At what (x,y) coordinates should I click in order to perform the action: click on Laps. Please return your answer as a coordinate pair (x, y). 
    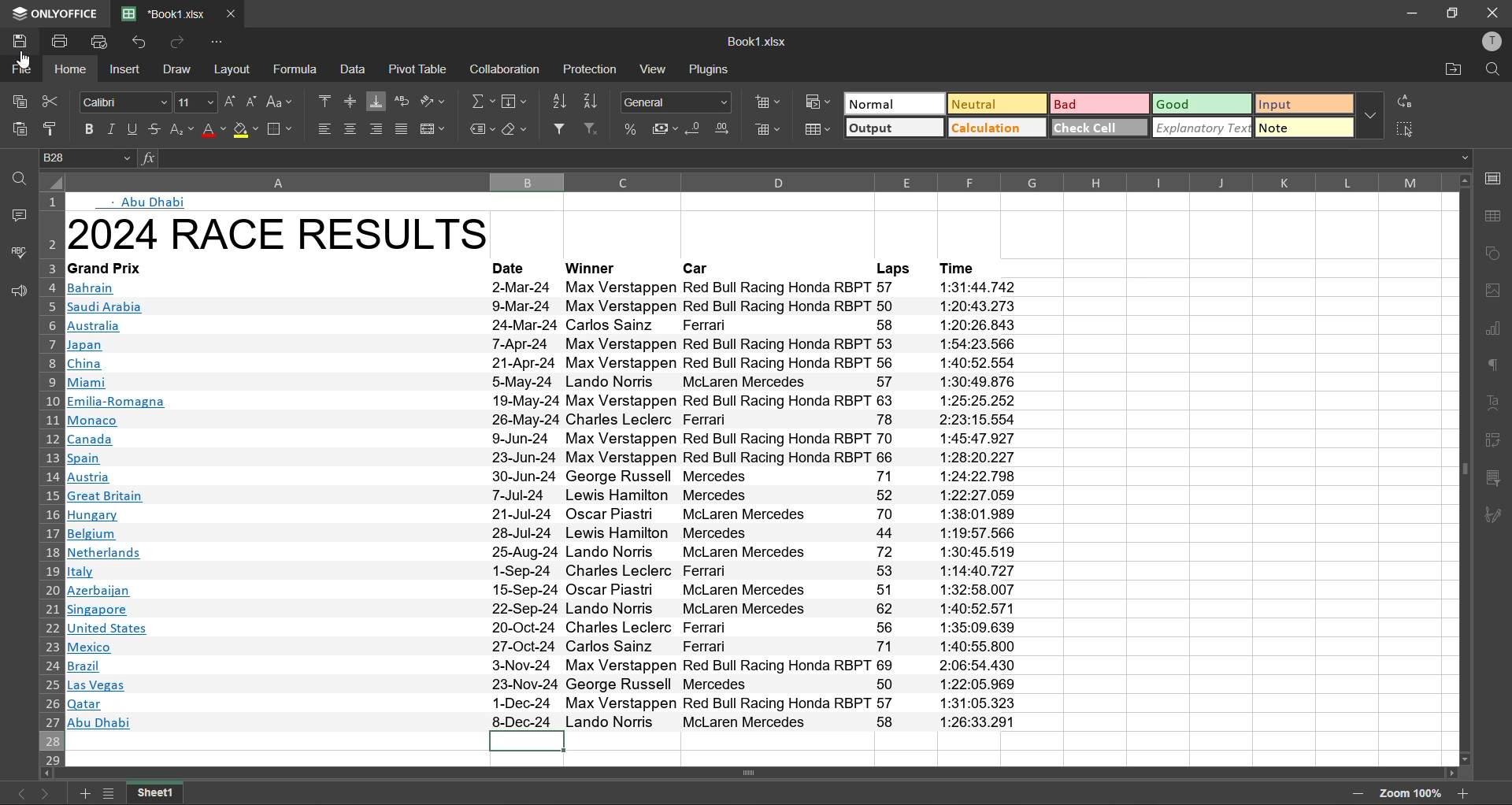
    Looking at the image, I should click on (891, 268).